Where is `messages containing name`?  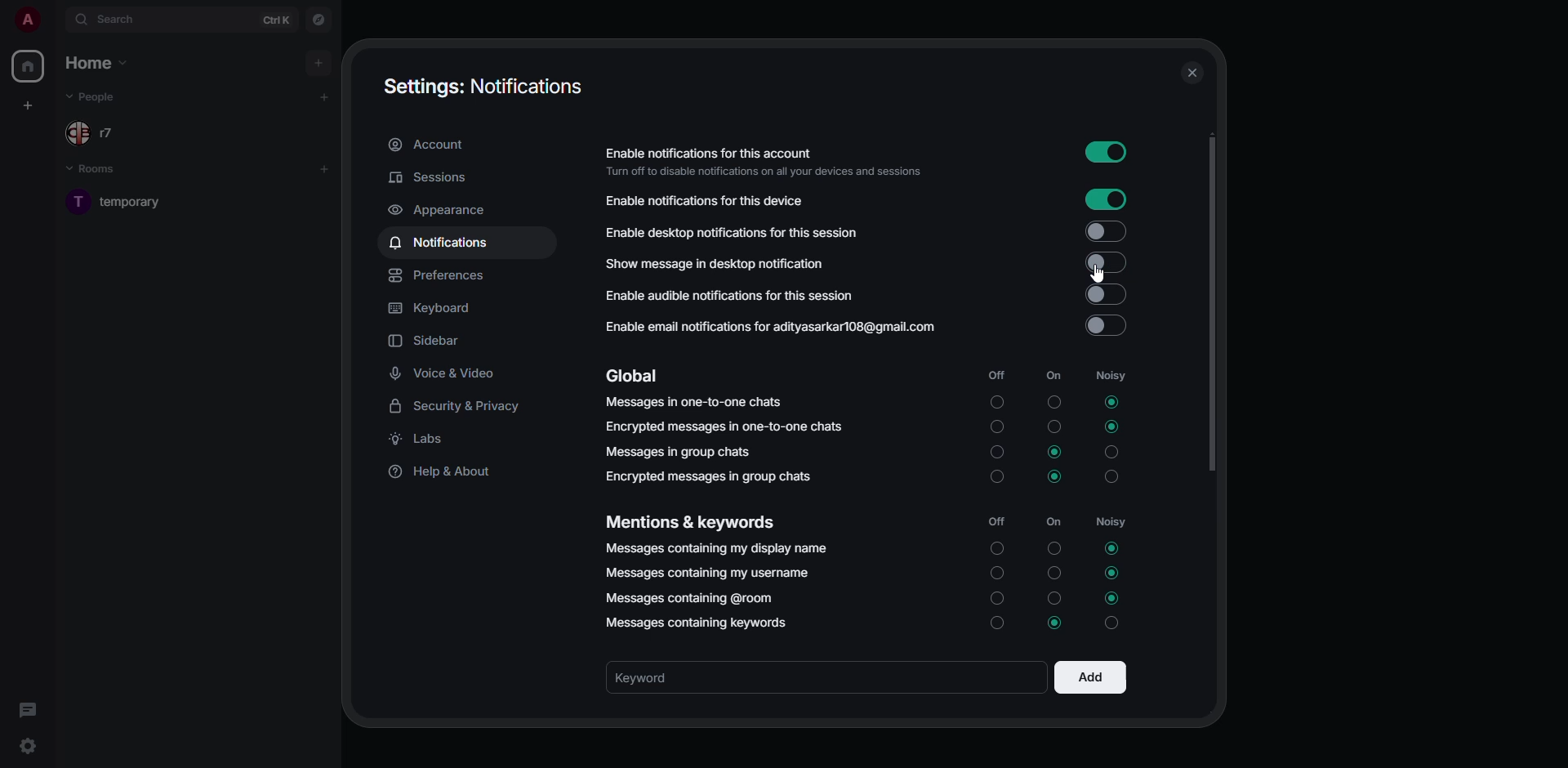 messages containing name is located at coordinates (714, 547).